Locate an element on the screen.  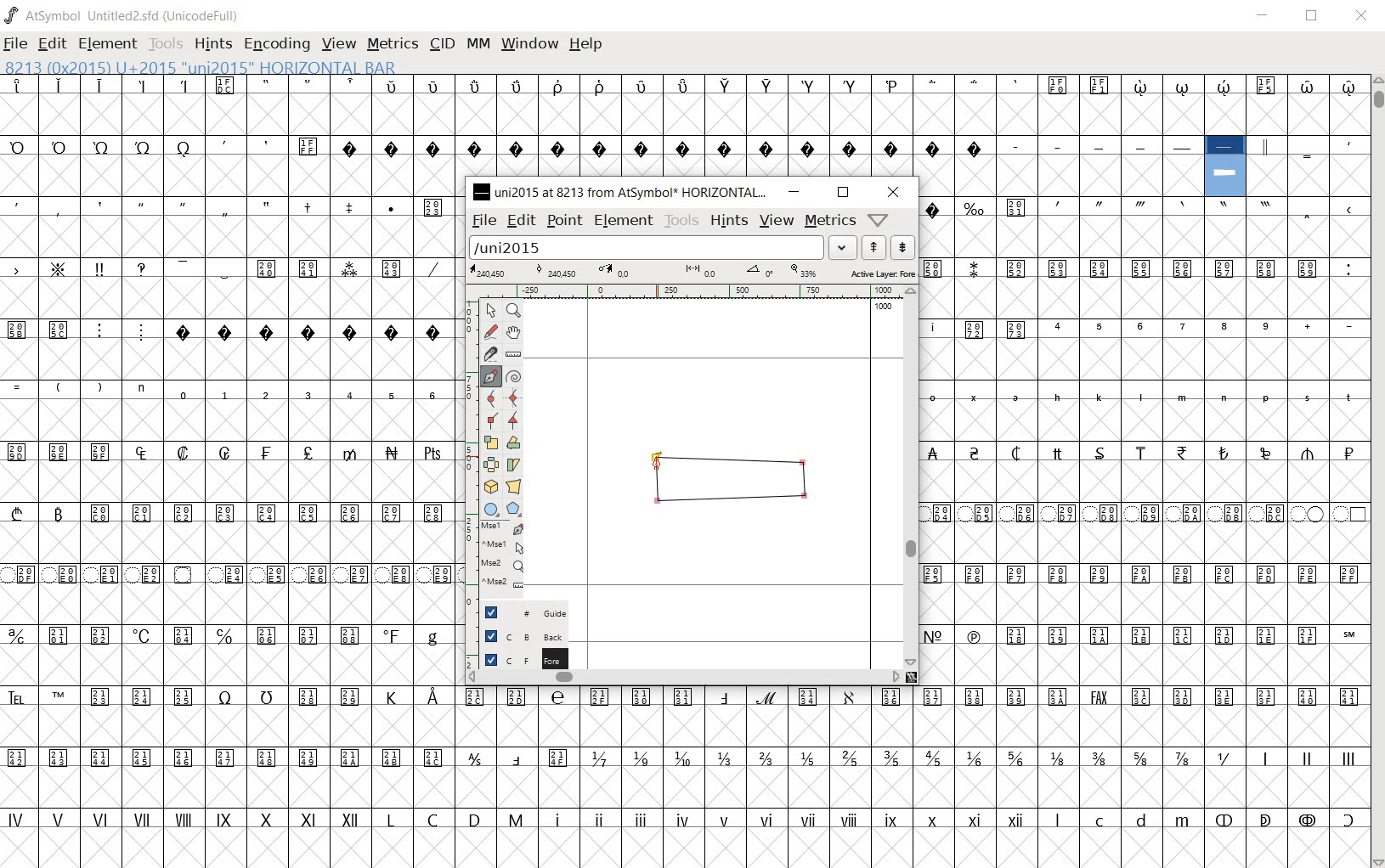
ruler is located at coordinates (696, 291).